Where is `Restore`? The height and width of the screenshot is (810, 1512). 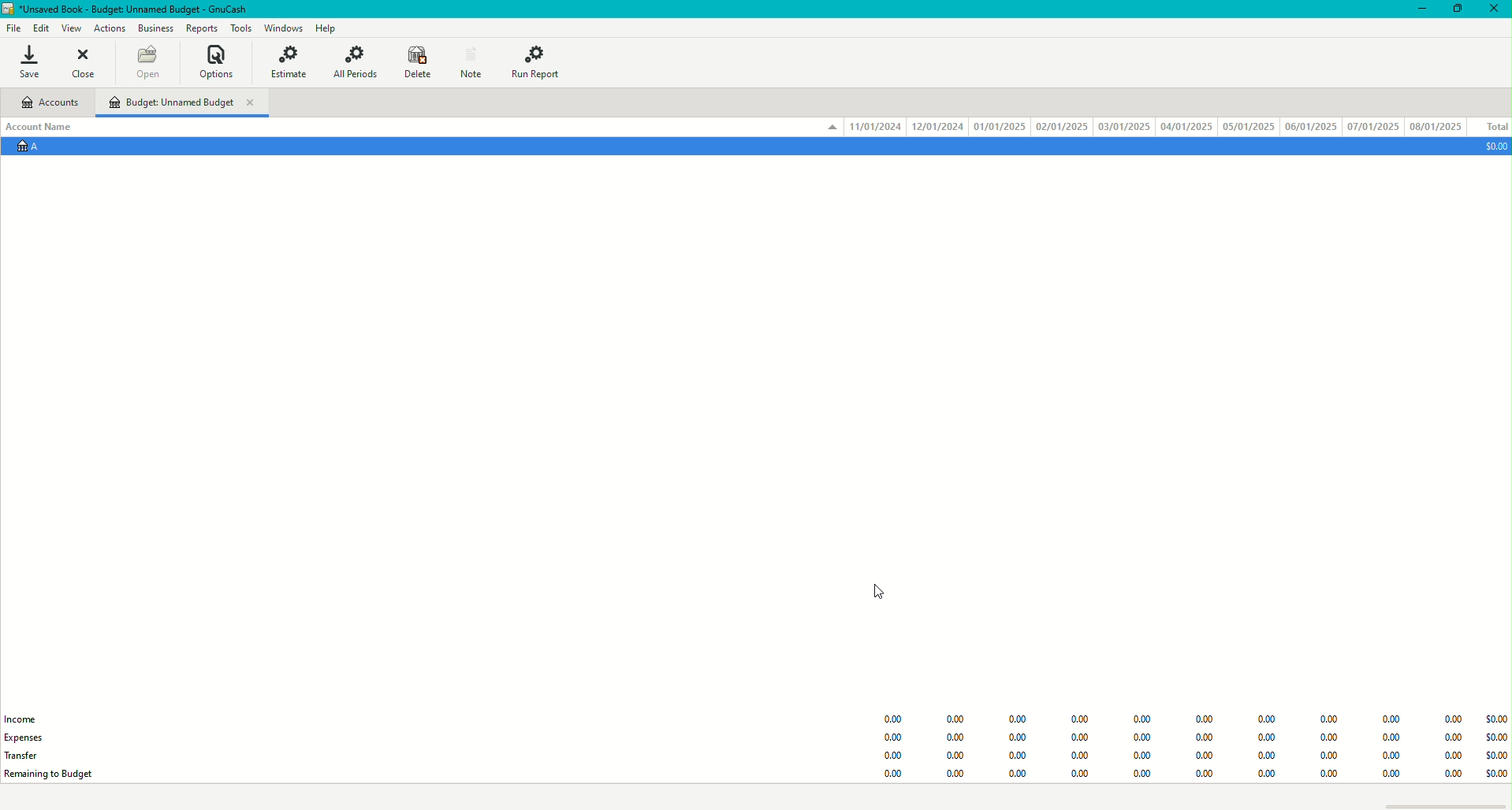
Restore is located at coordinates (1456, 10).